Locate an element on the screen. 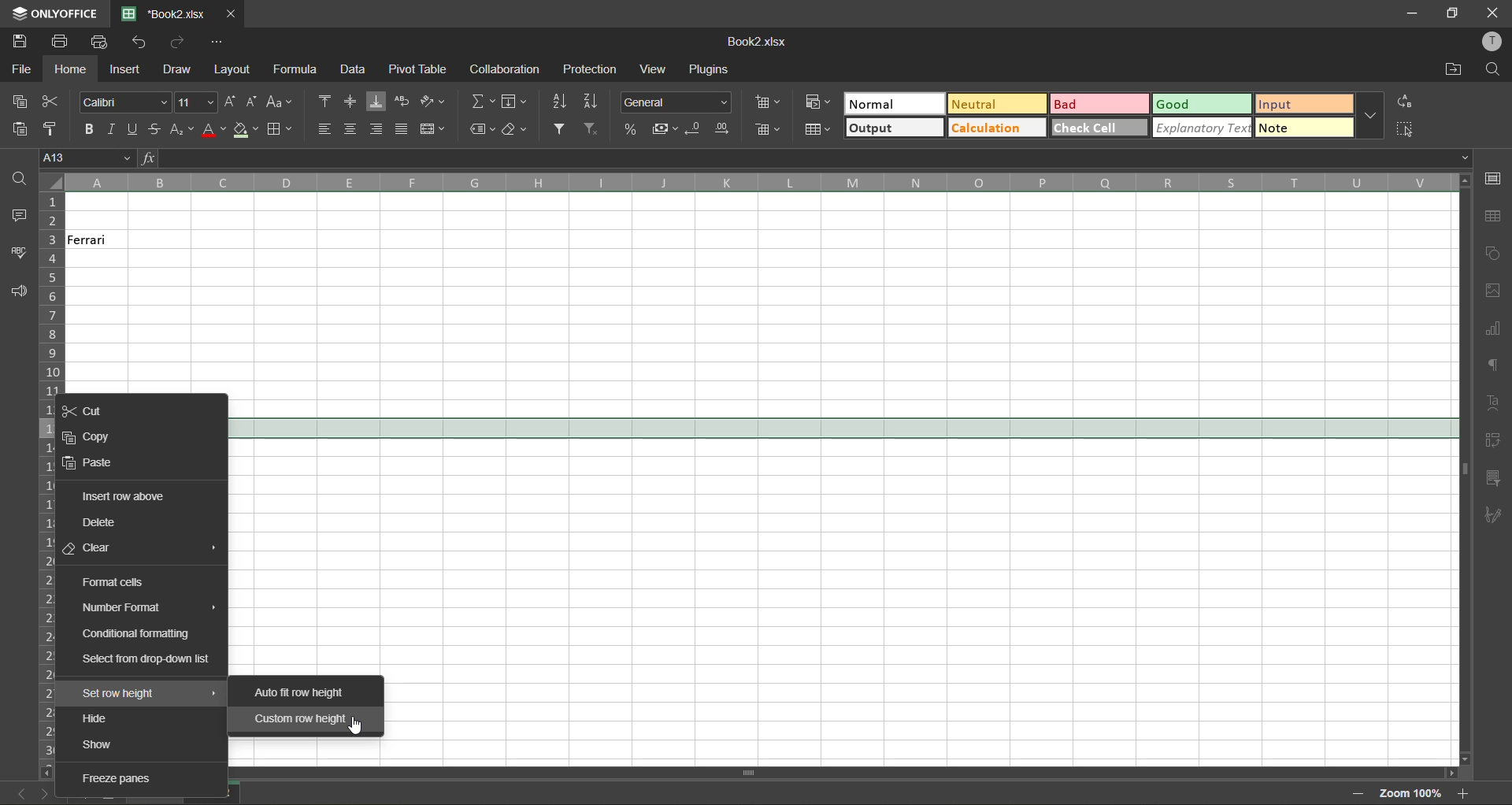 This screenshot has height=805, width=1512. delete is located at coordinates (103, 521).